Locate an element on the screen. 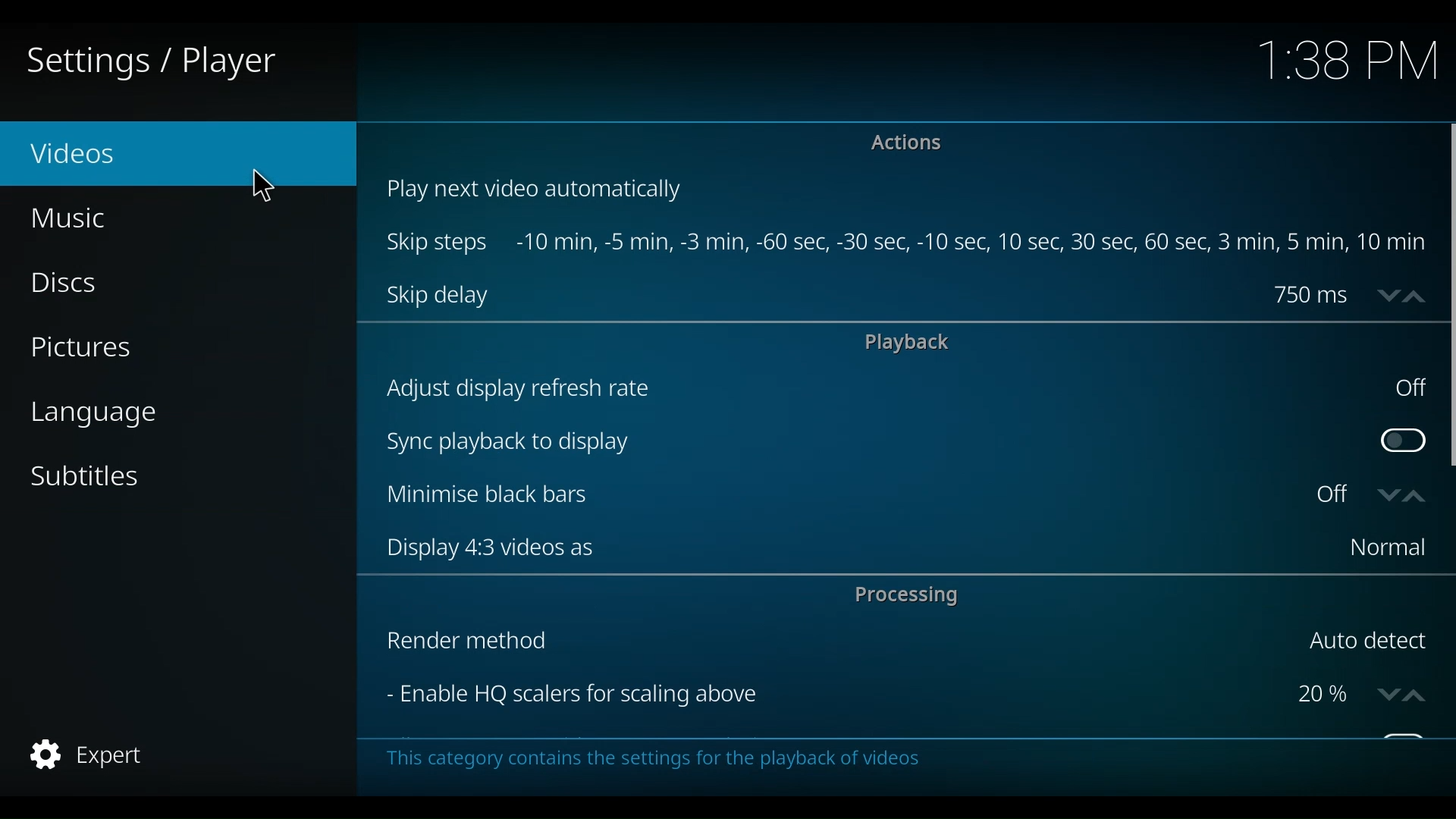 The height and width of the screenshot is (819, 1456). Enable HQ scalers for scaling above is located at coordinates (831, 695).